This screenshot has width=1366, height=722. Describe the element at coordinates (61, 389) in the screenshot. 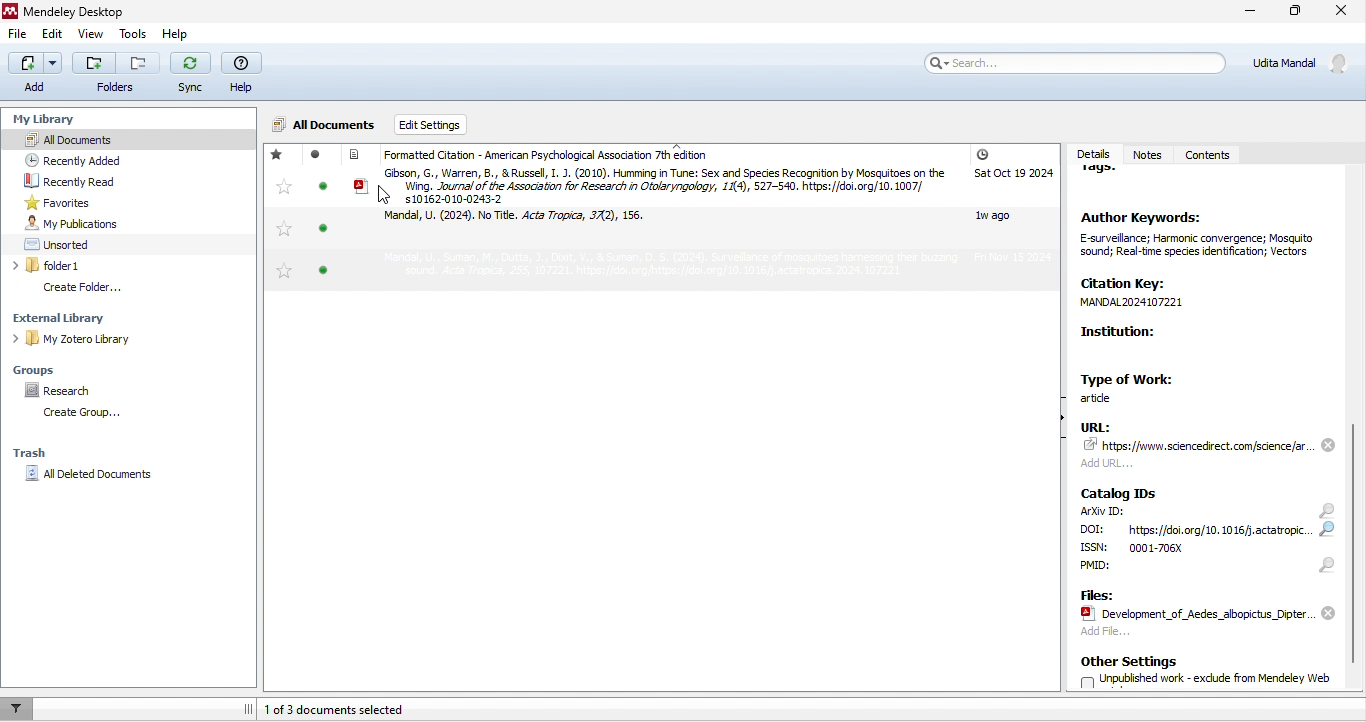

I see `research` at that location.